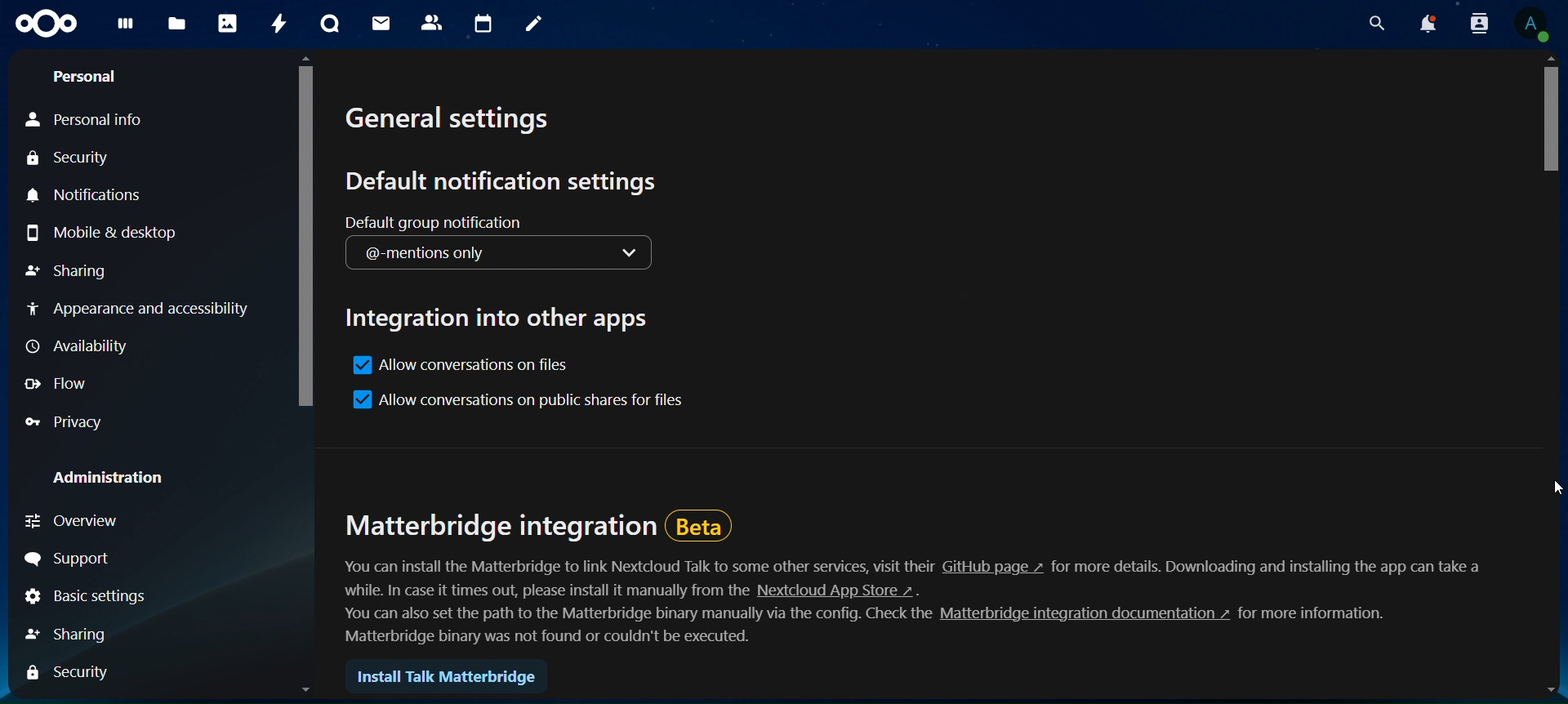 The width and height of the screenshot is (1568, 704). I want to click on text, so click(549, 590).